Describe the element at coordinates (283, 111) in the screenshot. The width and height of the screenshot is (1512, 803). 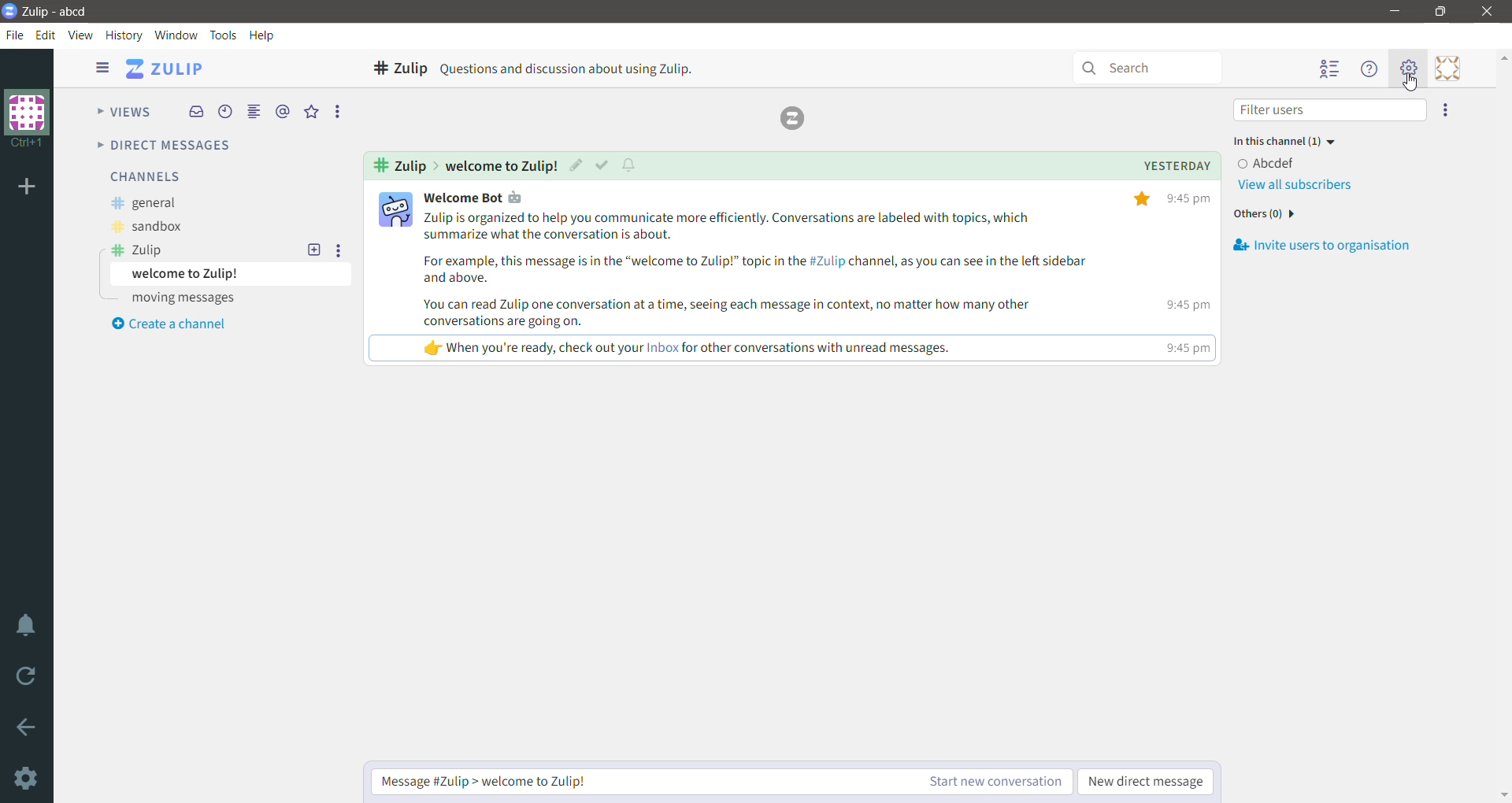
I see `Mentions` at that location.